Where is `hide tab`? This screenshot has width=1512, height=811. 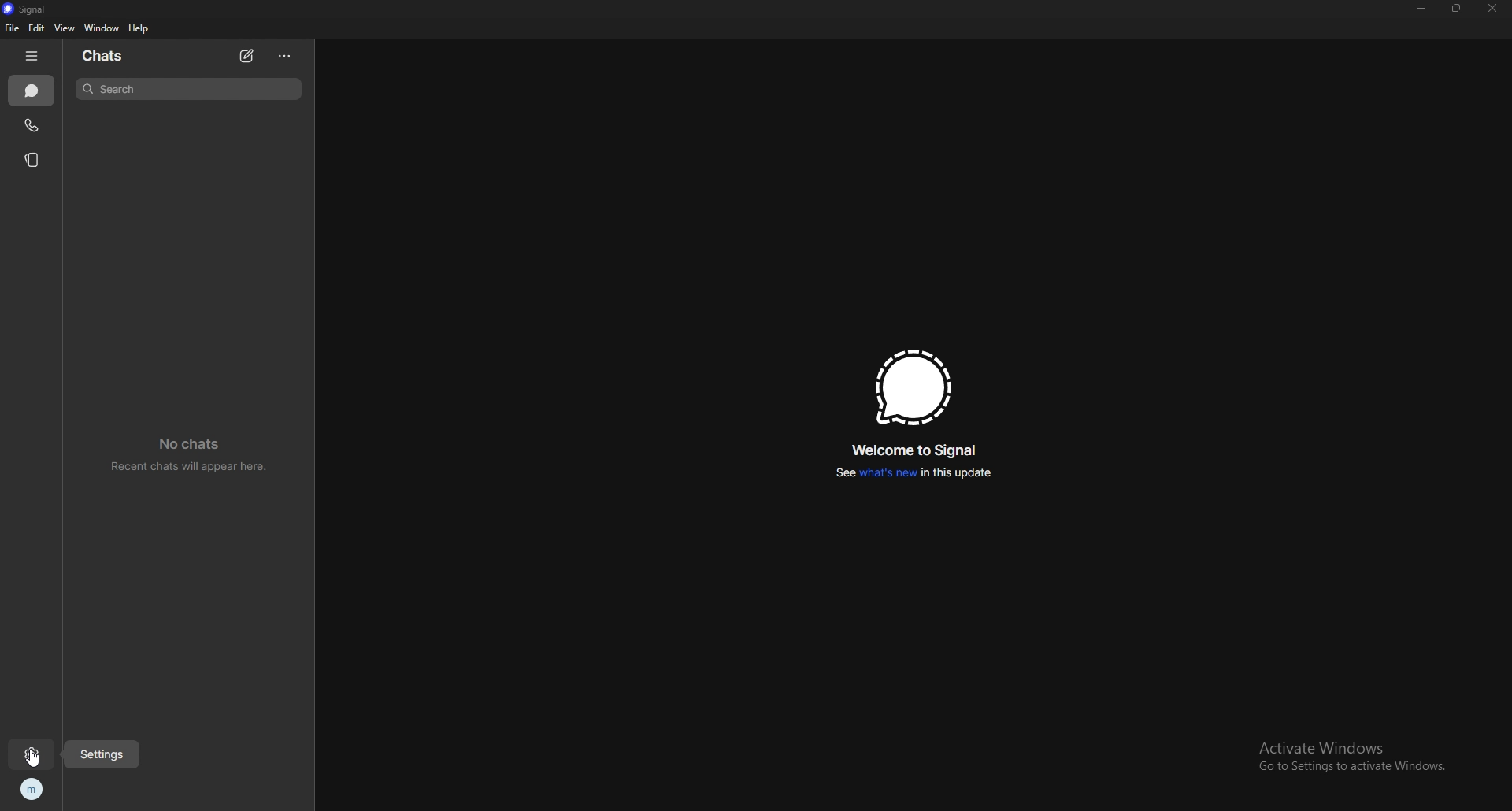
hide tab is located at coordinates (31, 56).